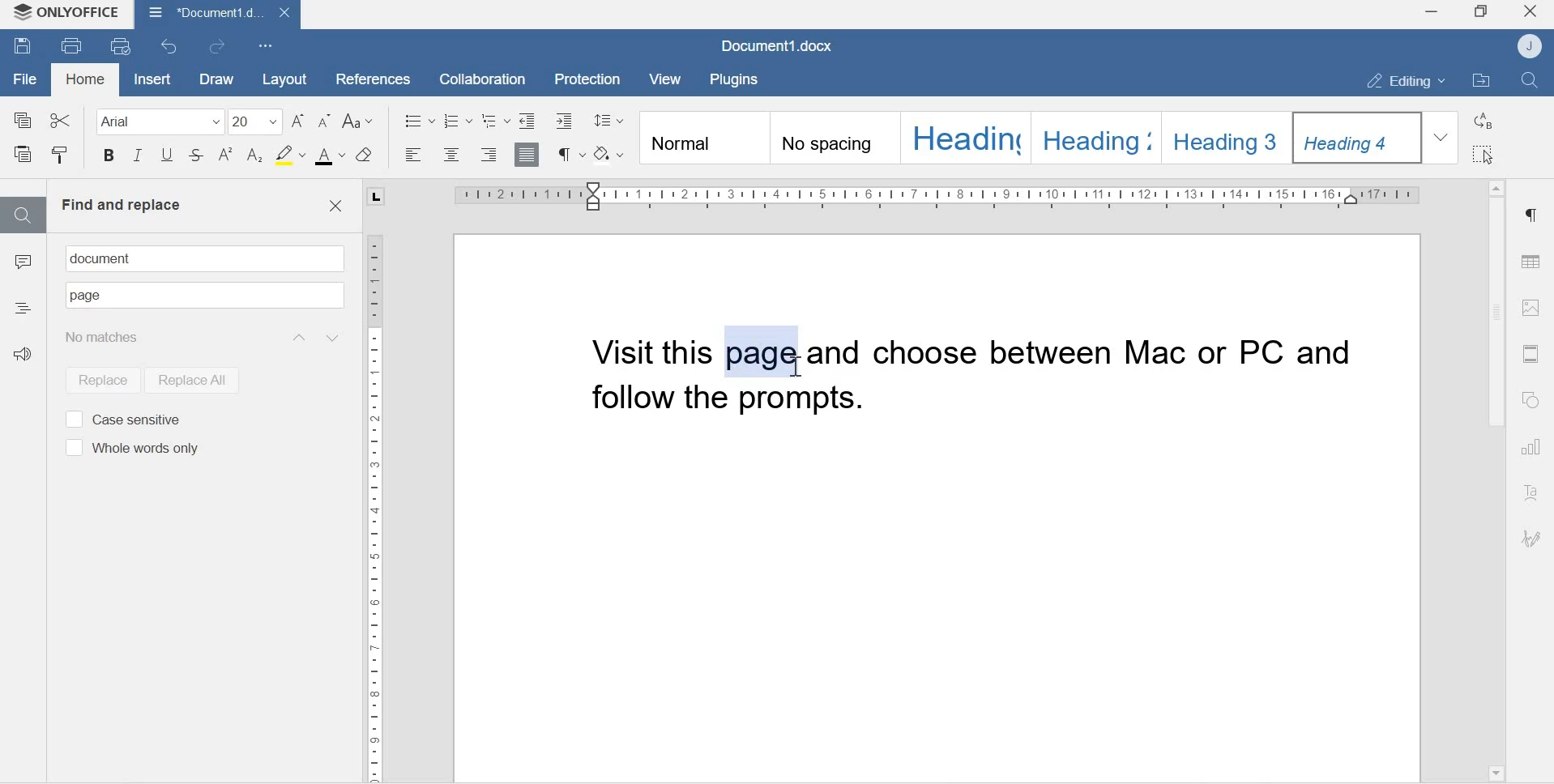 The image size is (1554, 784). I want to click on Customize Quick Access Toolbar, so click(267, 45).